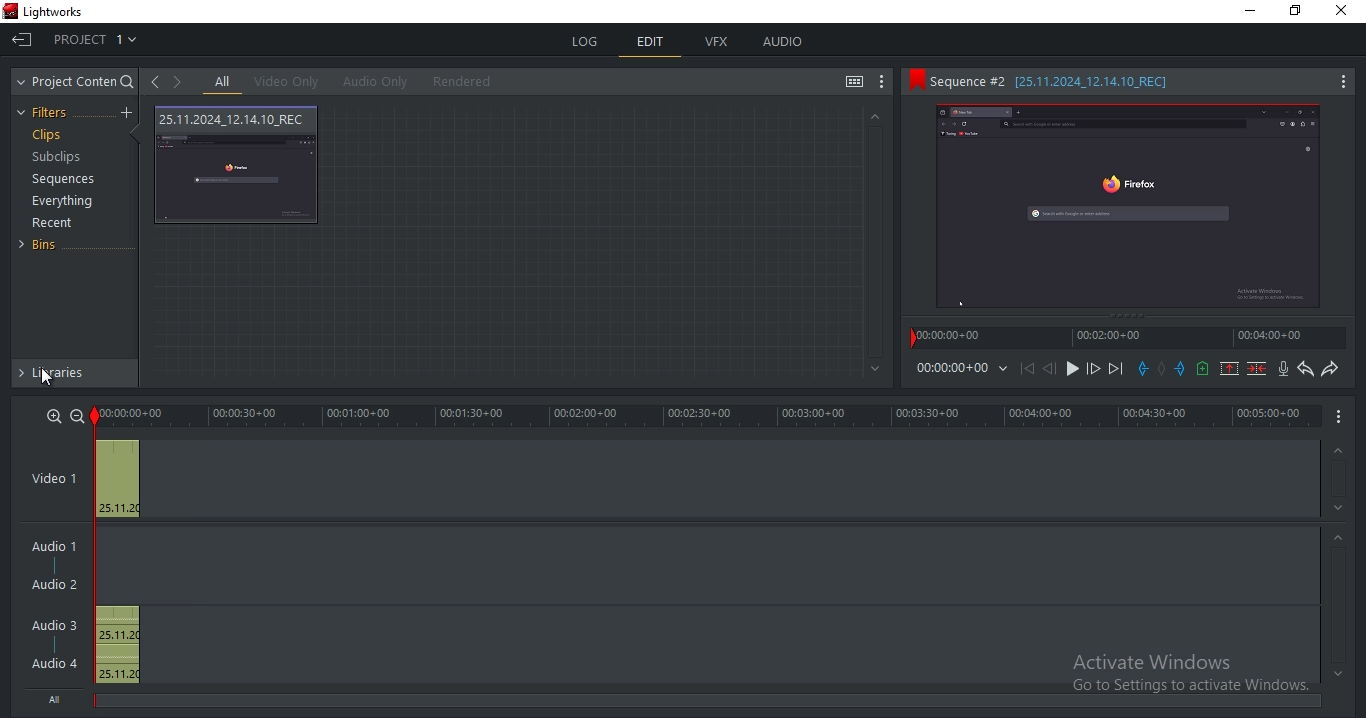  I want to click on add, so click(129, 113).